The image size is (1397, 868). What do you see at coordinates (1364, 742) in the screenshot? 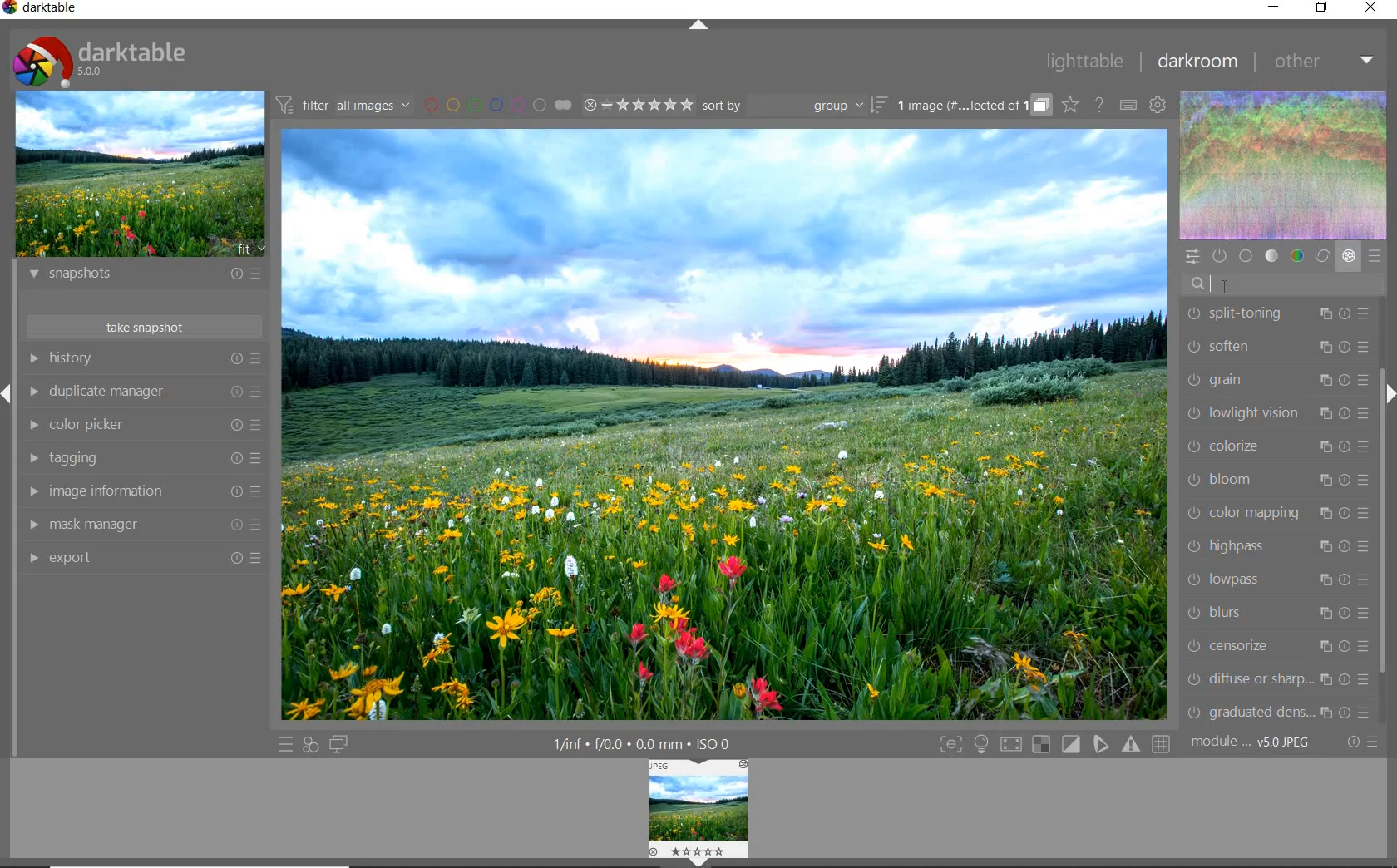
I see `reset or presets and preferences` at bounding box center [1364, 742].